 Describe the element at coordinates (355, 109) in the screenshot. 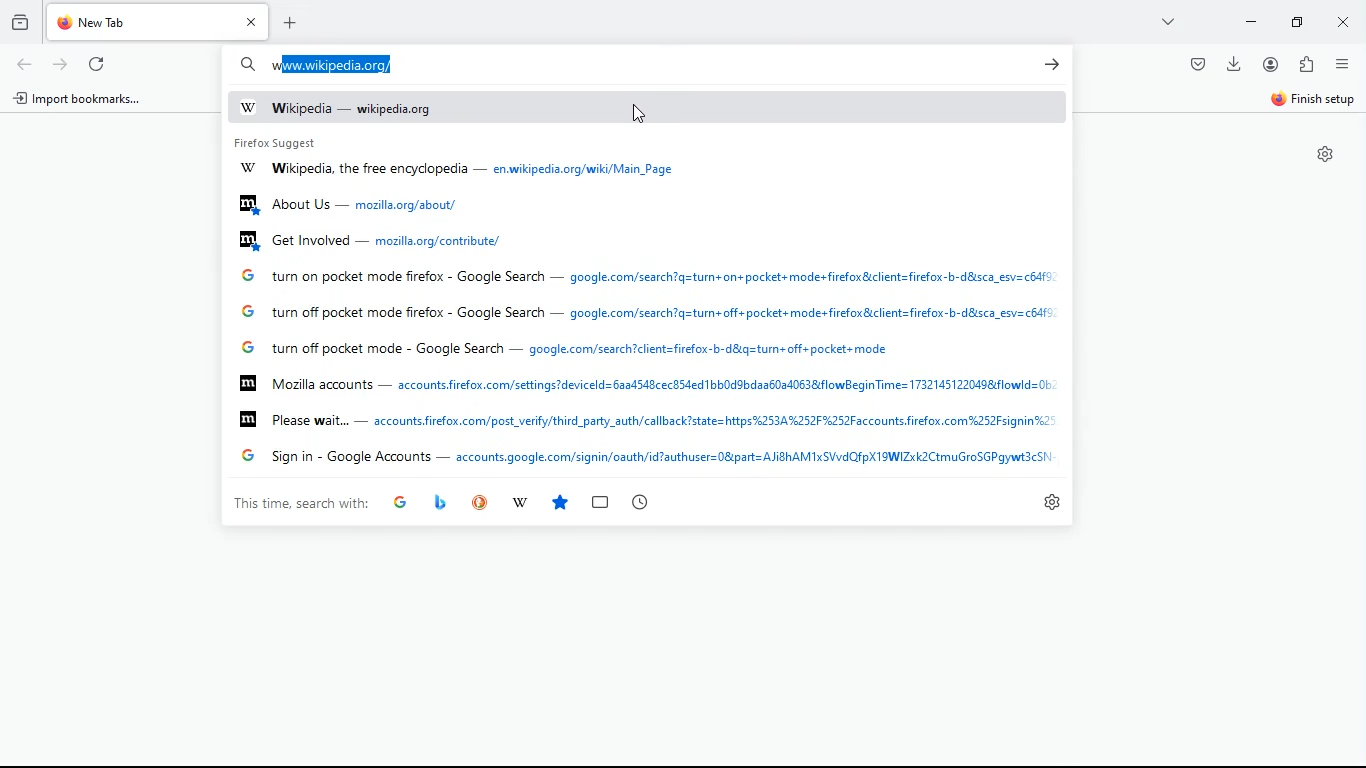

I see `wikipedia` at that location.